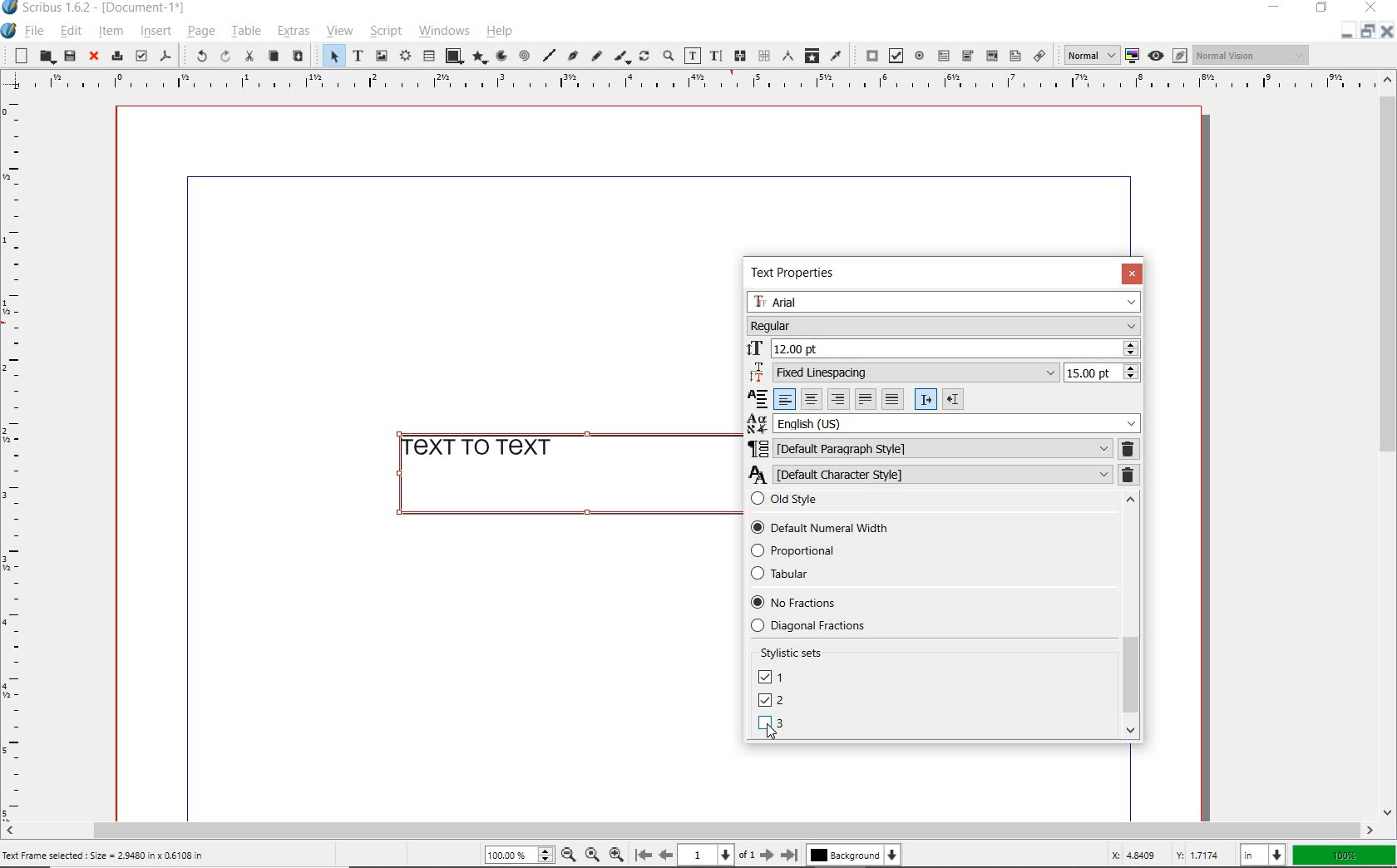 Image resolution: width=1397 pixels, height=868 pixels. I want to click on REMOVE, so click(1129, 462).